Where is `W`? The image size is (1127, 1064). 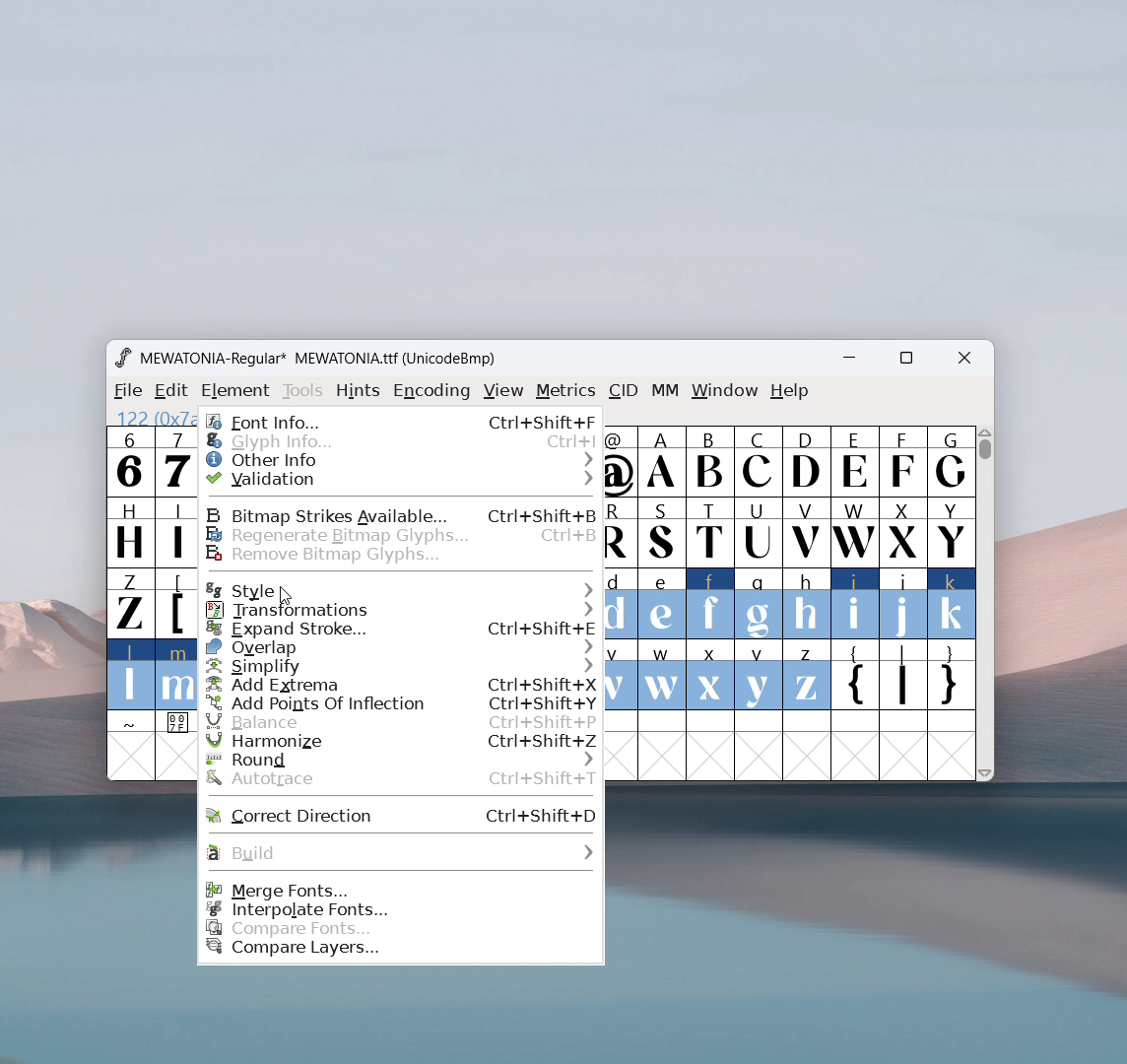 W is located at coordinates (853, 532).